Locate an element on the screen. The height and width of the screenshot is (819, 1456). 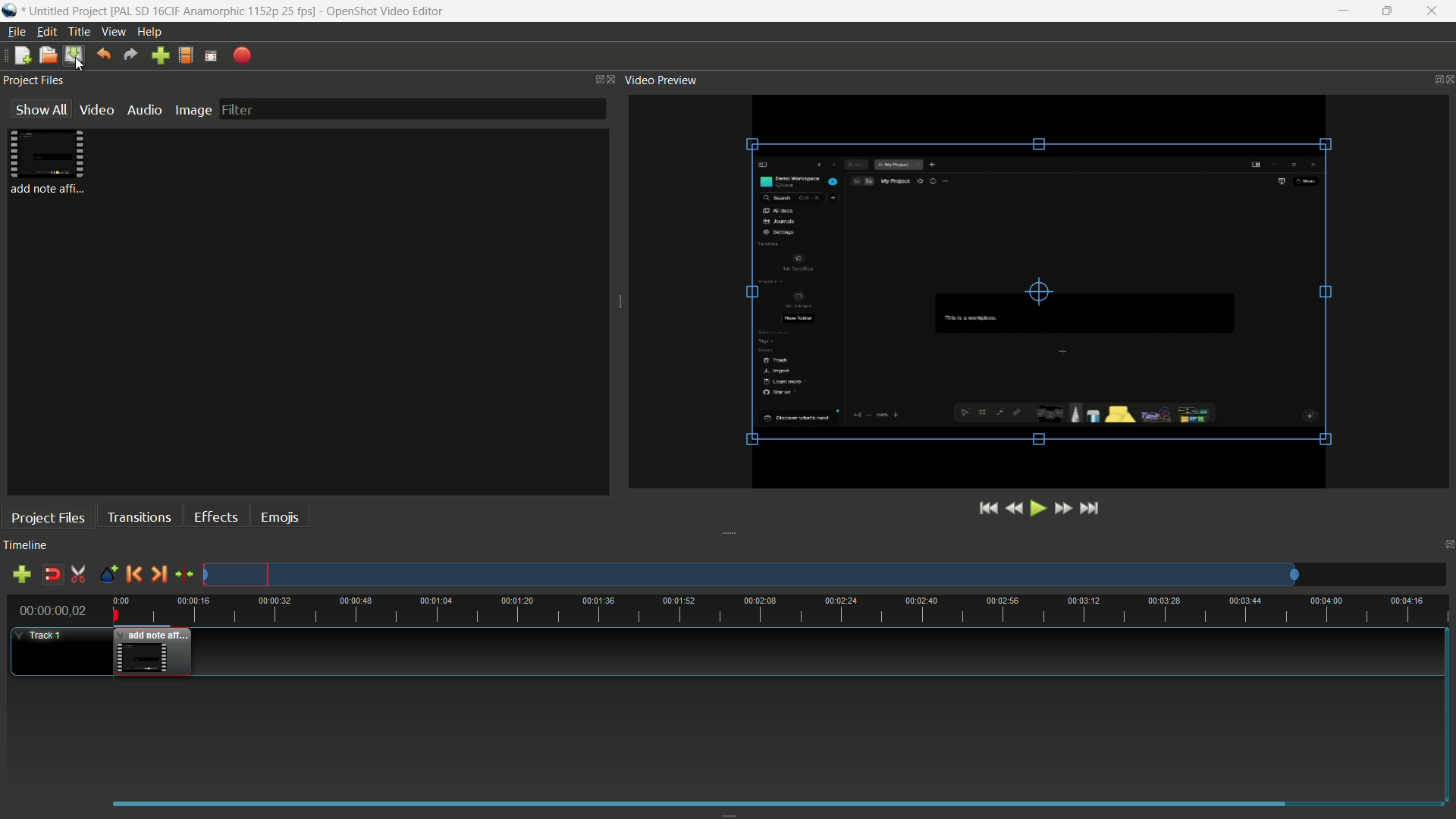
project files is located at coordinates (52, 164).